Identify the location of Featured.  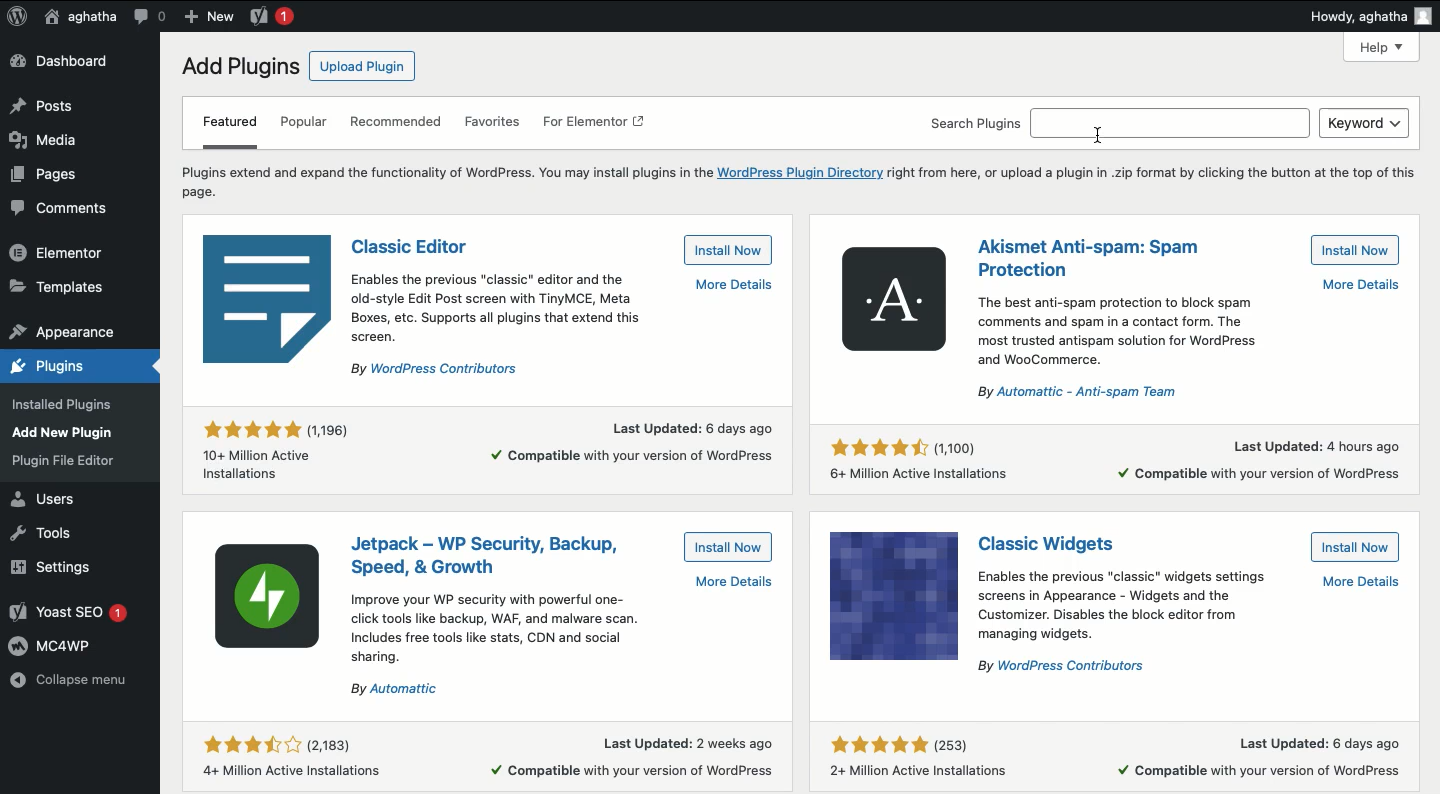
(229, 129).